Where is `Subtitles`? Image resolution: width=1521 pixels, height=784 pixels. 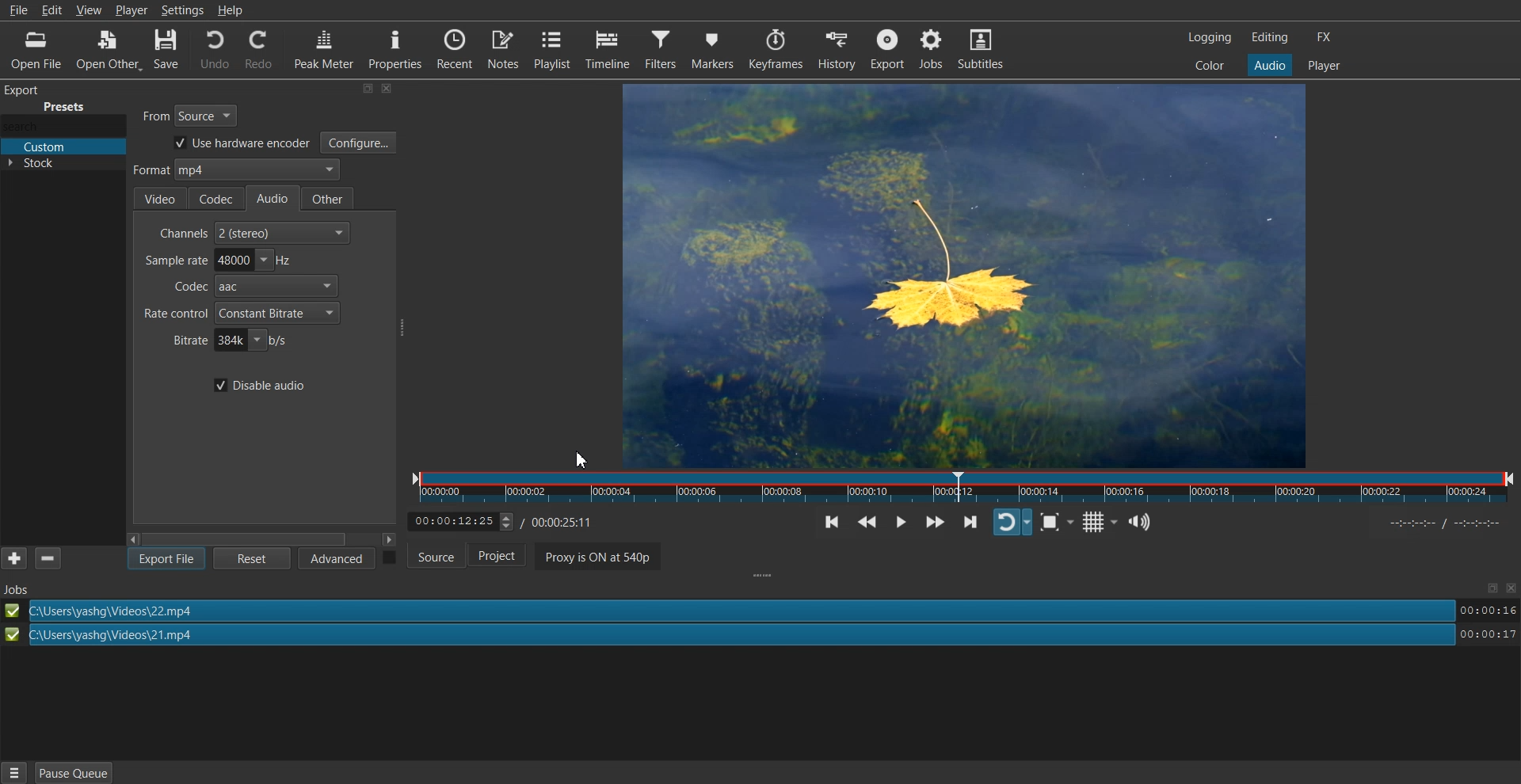
Subtitles is located at coordinates (981, 48).